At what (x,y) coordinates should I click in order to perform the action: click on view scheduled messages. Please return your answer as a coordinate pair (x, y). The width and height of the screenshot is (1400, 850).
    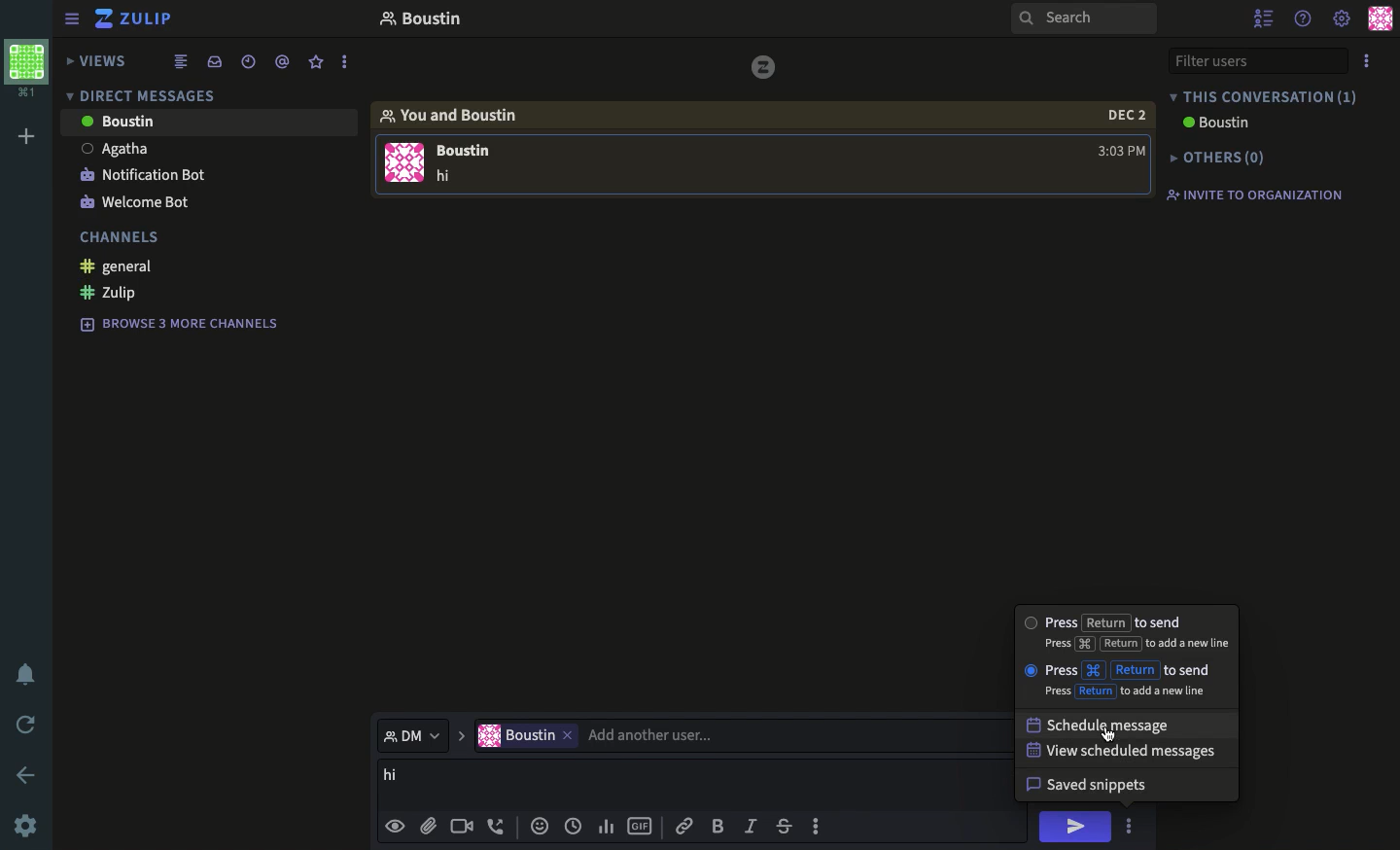
    Looking at the image, I should click on (1123, 752).